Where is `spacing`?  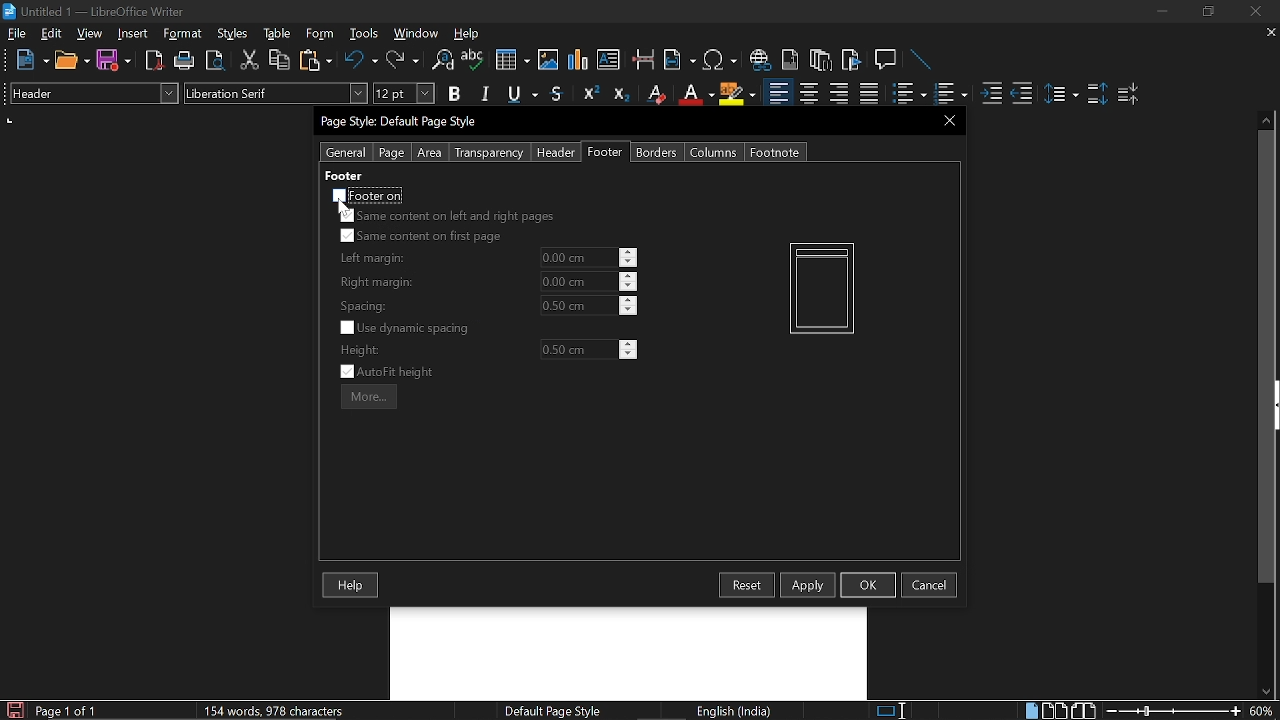 spacing is located at coordinates (367, 306).